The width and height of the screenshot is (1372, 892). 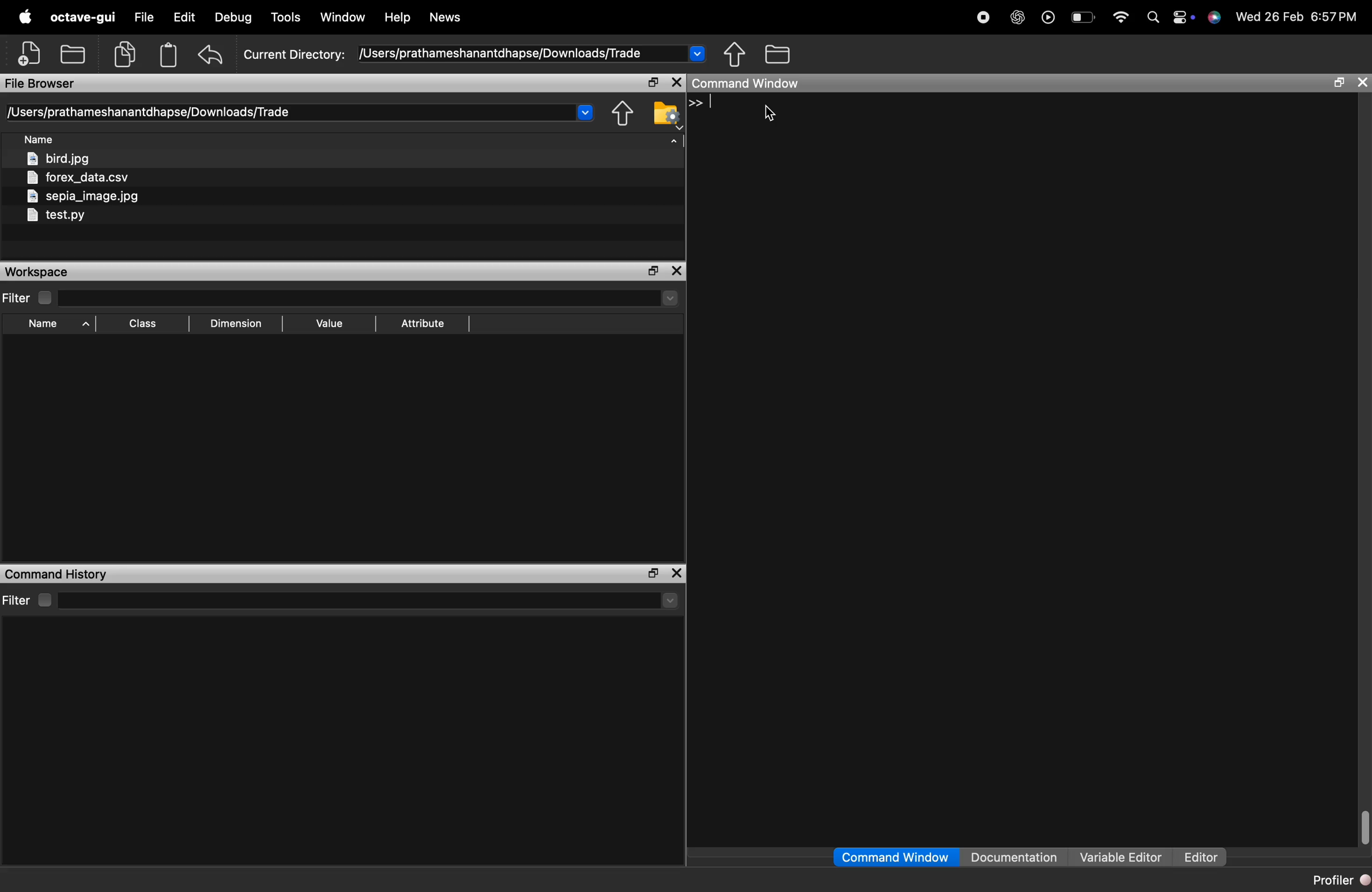 I want to click on undo, so click(x=211, y=54).